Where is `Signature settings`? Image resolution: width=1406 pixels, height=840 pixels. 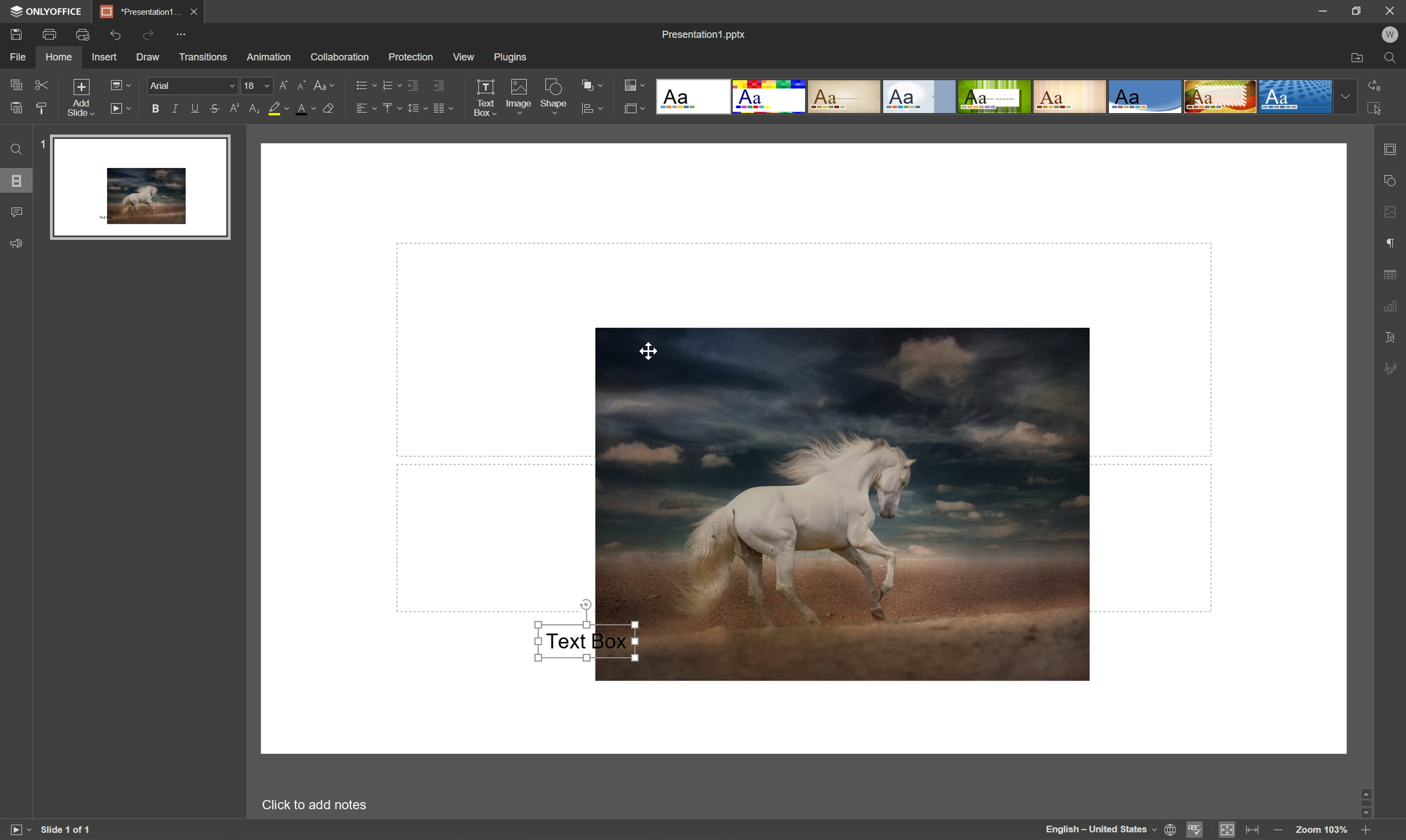
Signature settings is located at coordinates (1391, 368).